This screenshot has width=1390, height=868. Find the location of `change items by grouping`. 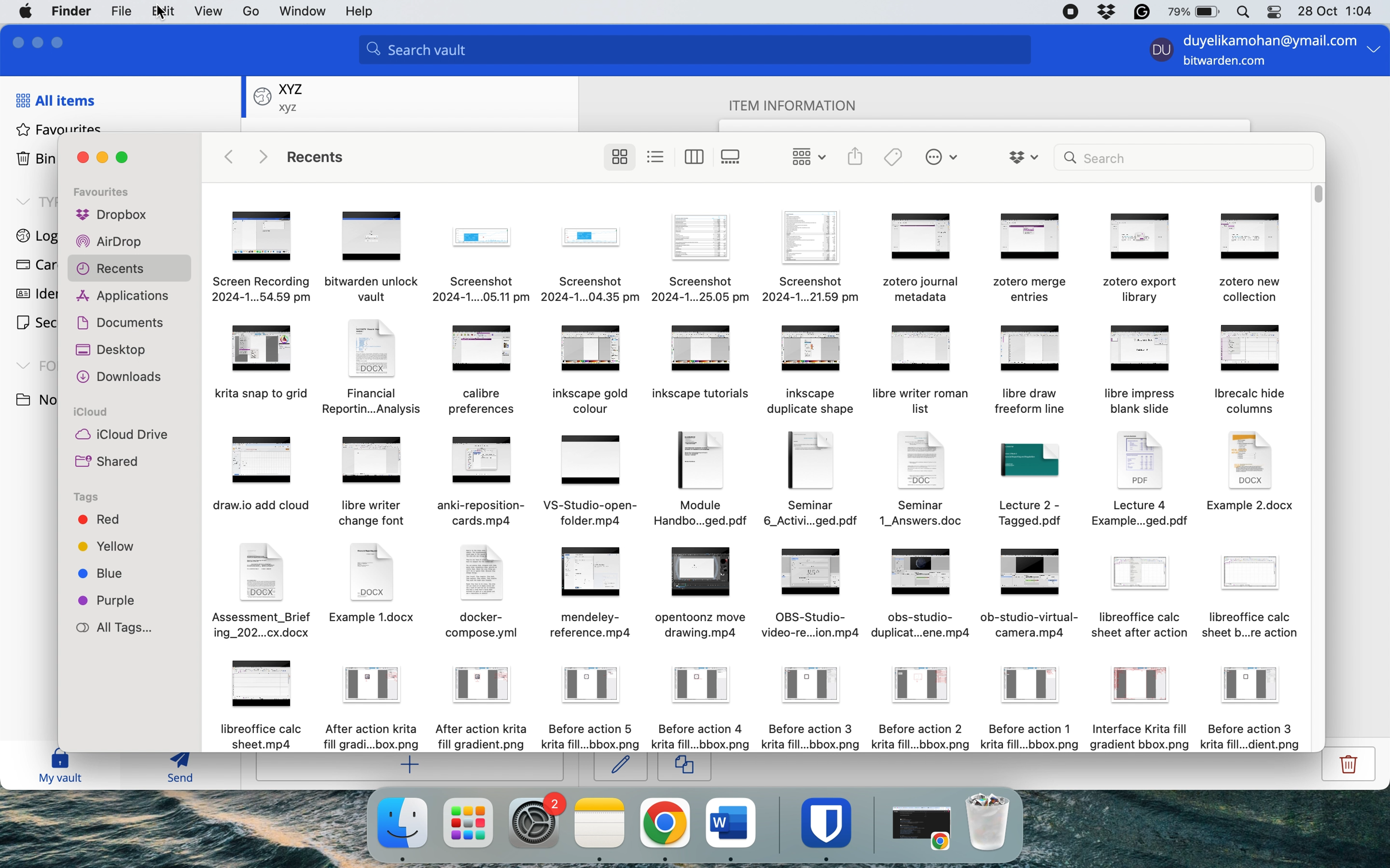

change items by grouping is located at coordinates (802, 156).